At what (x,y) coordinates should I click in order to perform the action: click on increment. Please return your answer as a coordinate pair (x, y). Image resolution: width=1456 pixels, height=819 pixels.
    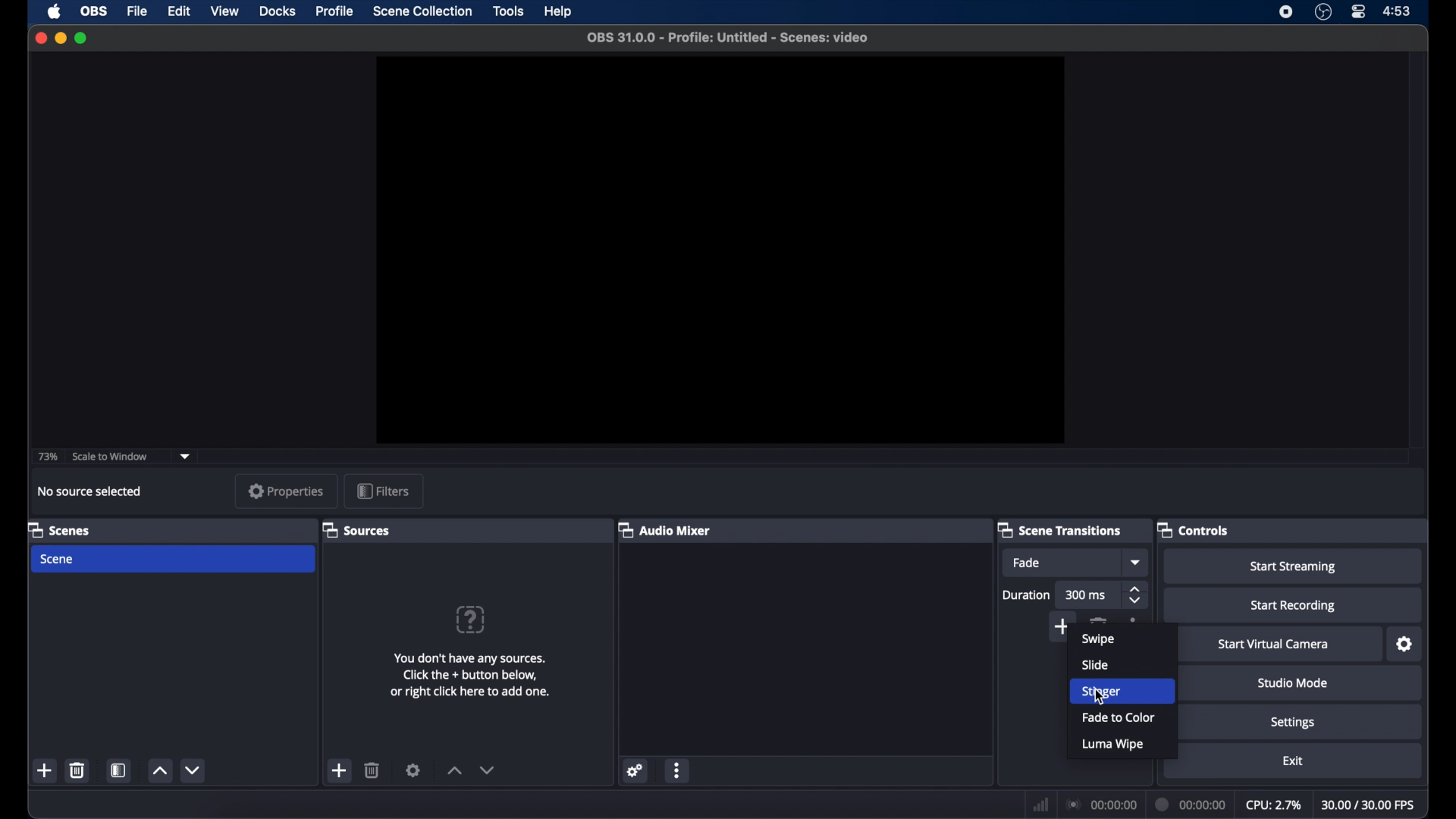
    Looking at the image, I should click on (452, 771).